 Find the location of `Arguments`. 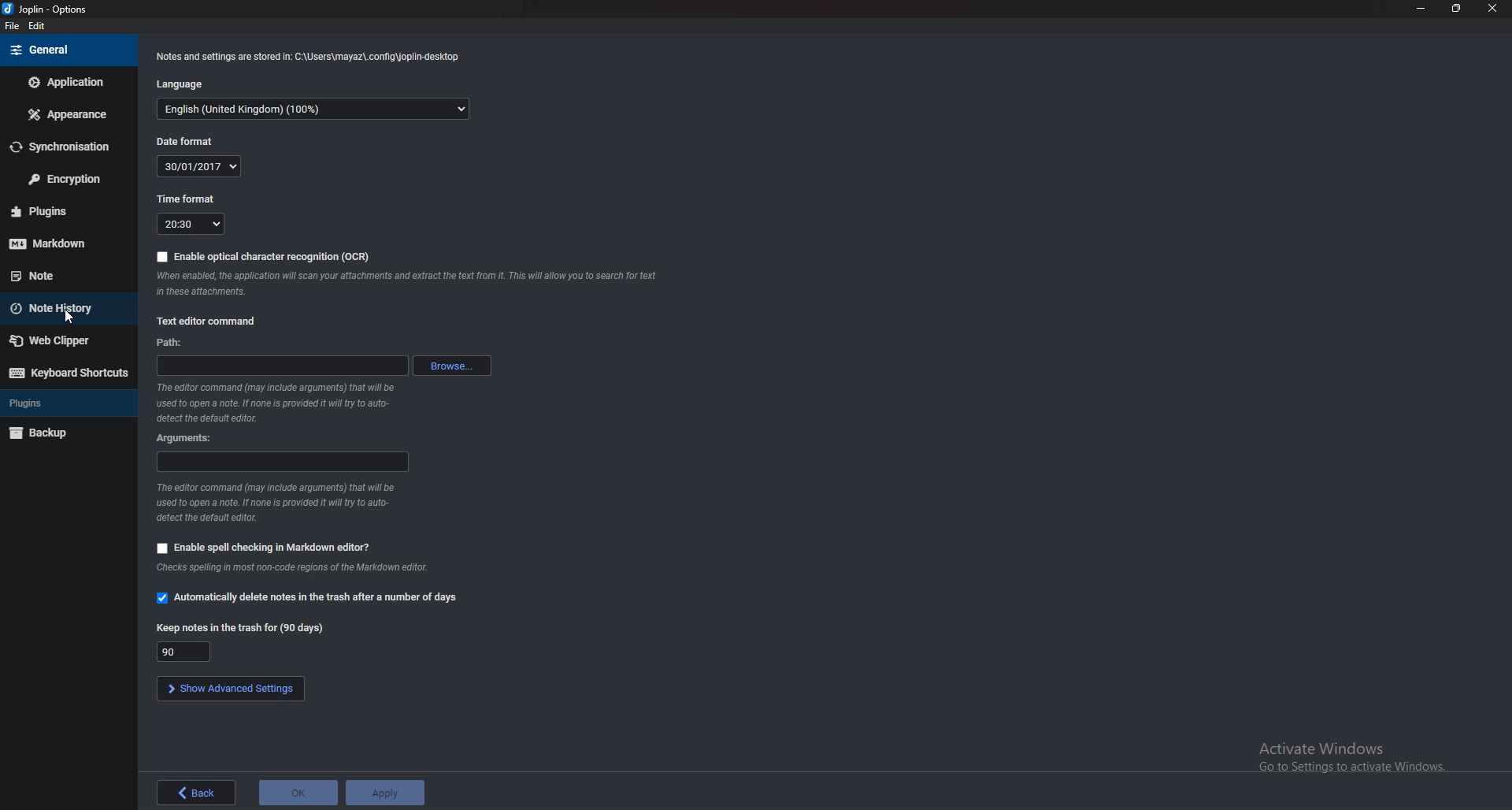

Arguments is located at coordinates (282, 463).